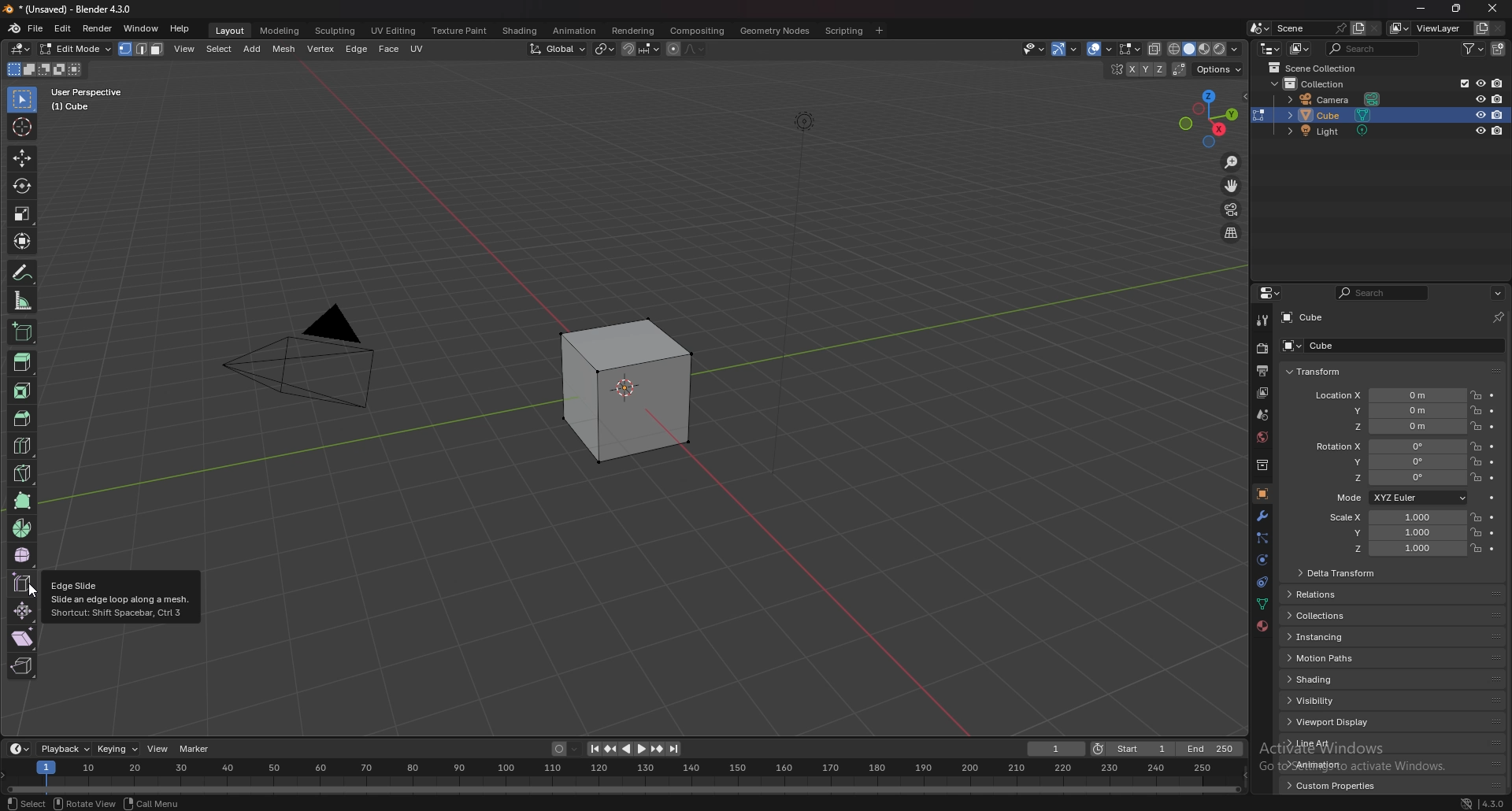 Image resolution: width=1512 pixels, height=811 pixels. What do you see at coordinates (1179, 69) in the screenshot?
I see `auto merge vertices` at bounding box center [1179, 69].